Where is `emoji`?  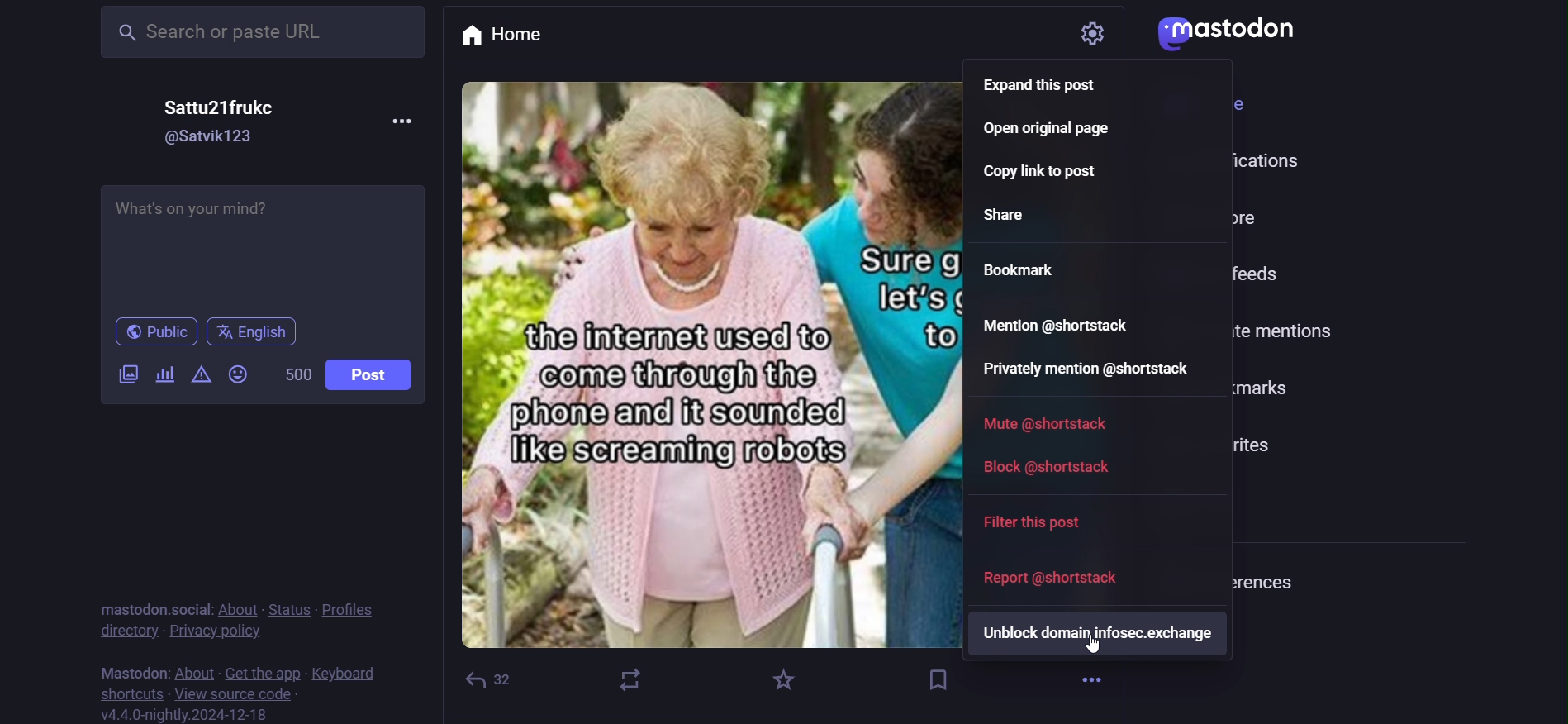
emoji is located at coordinates (240, 376).